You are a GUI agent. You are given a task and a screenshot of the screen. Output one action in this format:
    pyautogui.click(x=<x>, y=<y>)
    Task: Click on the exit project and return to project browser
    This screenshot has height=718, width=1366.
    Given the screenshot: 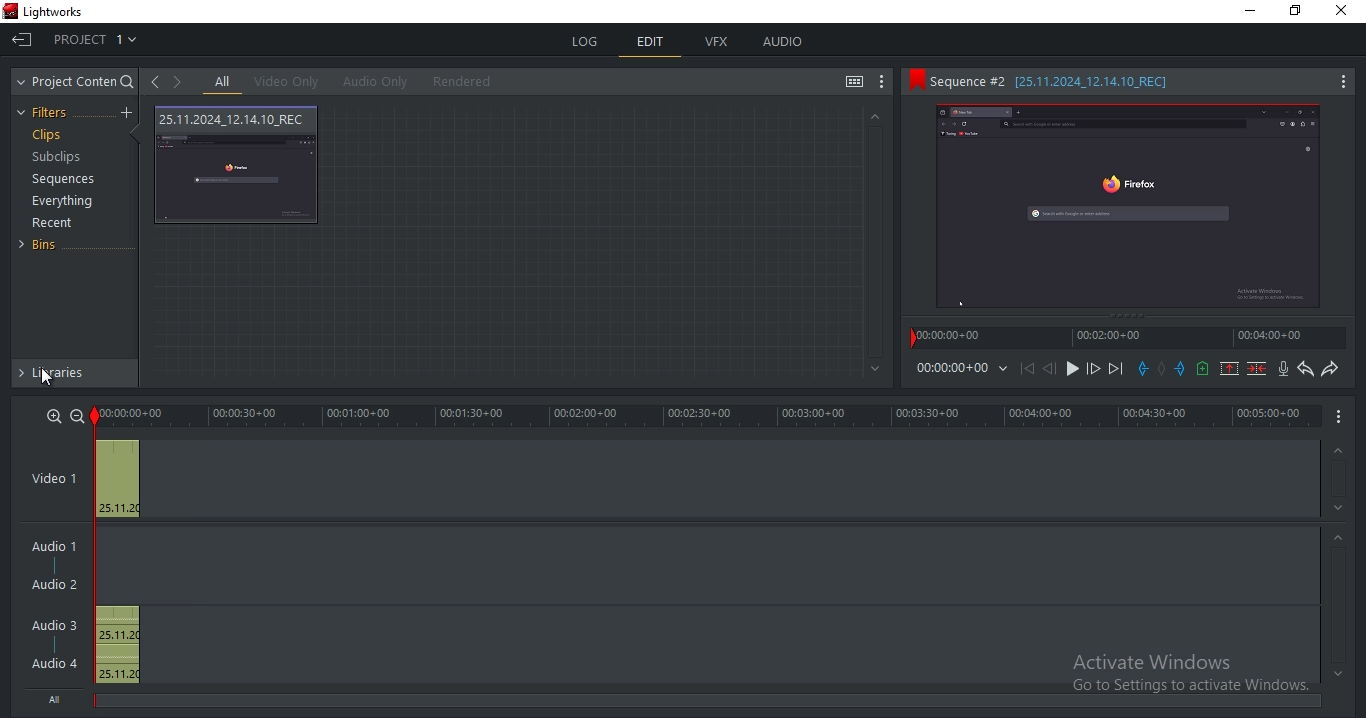 What is the action you would take?
    pyautogui.click(x=22, y=42)
    